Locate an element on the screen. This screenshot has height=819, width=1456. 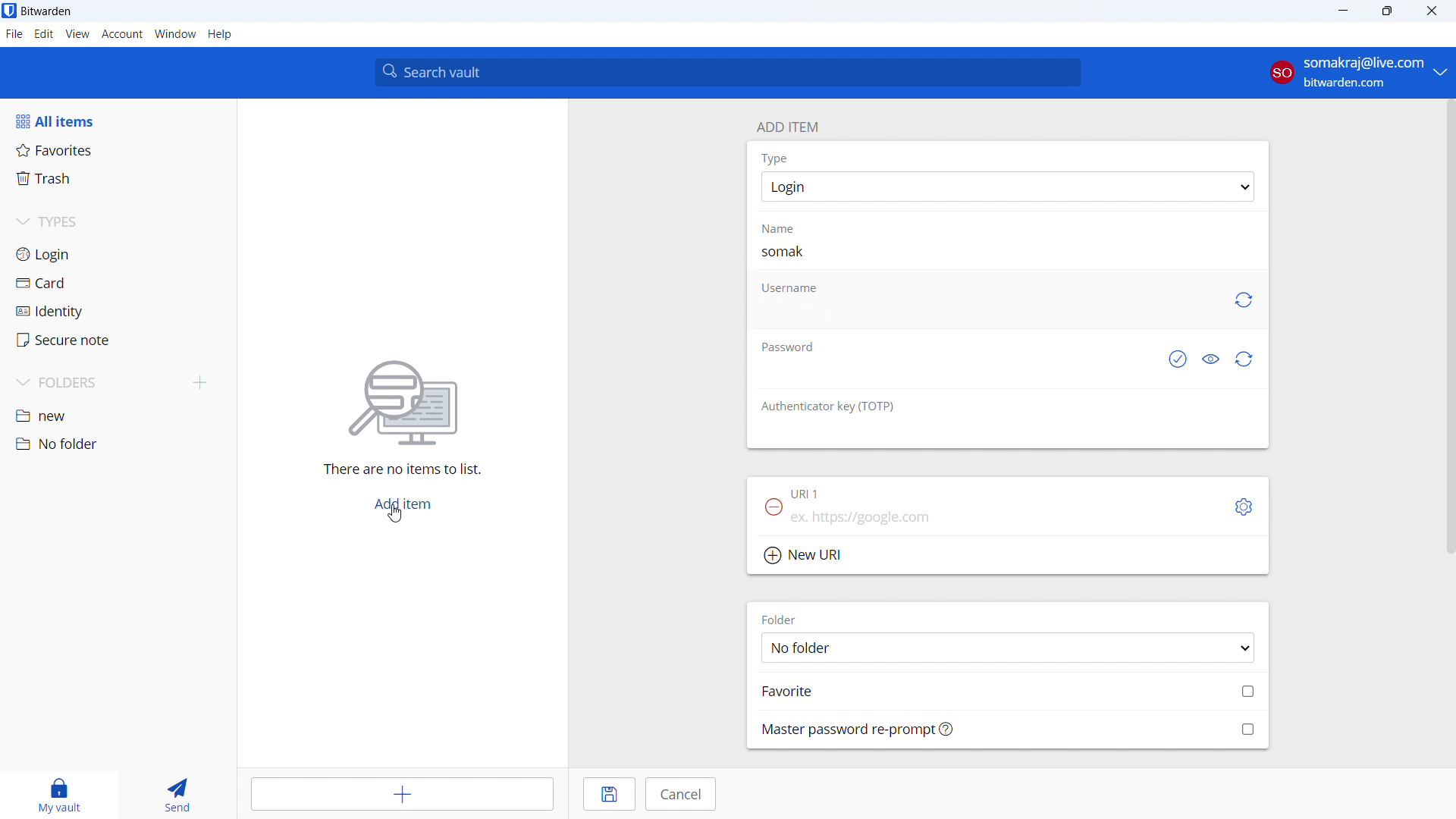
view is located at coordinates (77, 34).